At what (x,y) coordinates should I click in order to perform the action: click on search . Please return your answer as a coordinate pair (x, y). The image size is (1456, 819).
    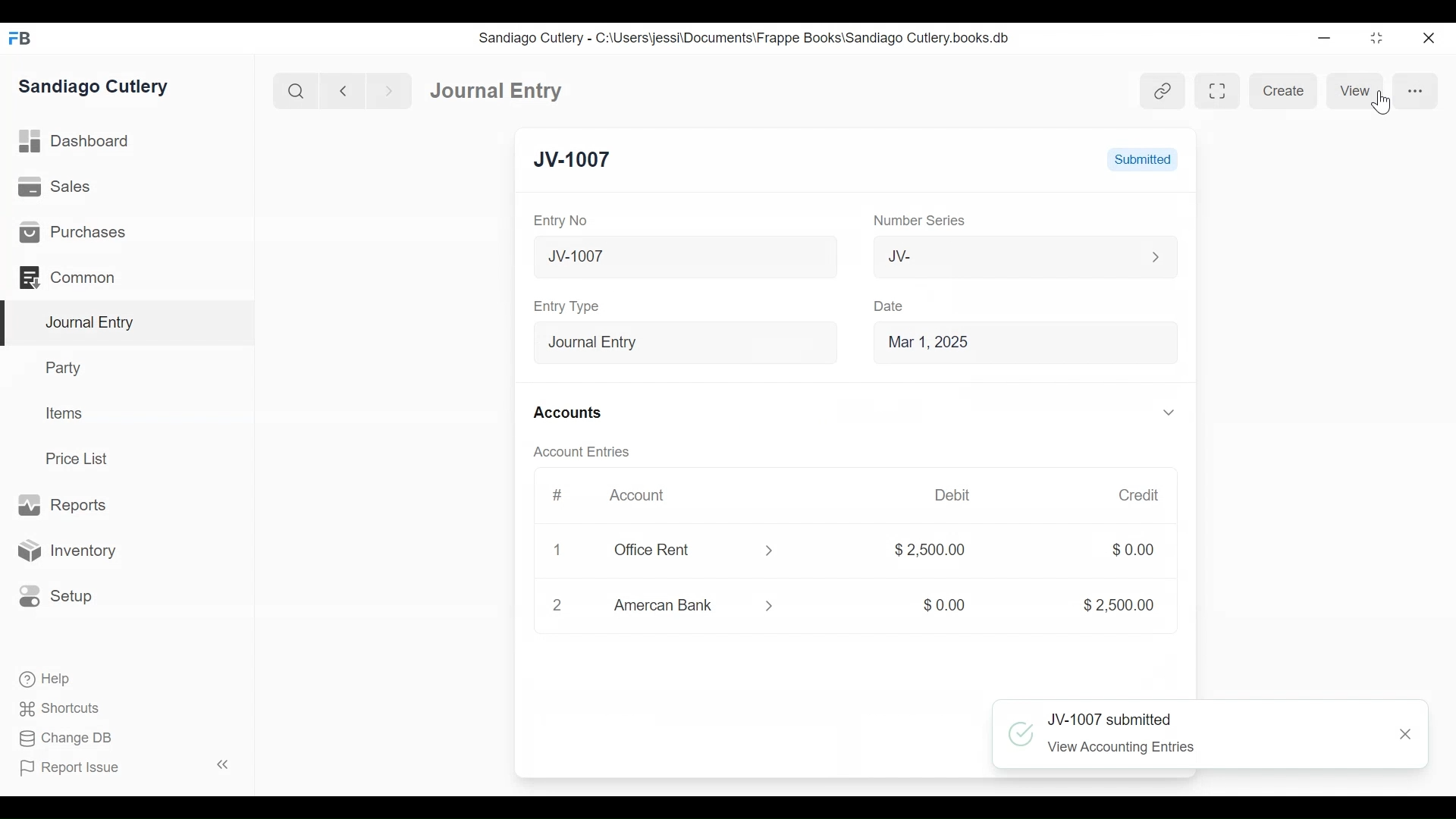
    Looking at the image, I should click on (293, 88).